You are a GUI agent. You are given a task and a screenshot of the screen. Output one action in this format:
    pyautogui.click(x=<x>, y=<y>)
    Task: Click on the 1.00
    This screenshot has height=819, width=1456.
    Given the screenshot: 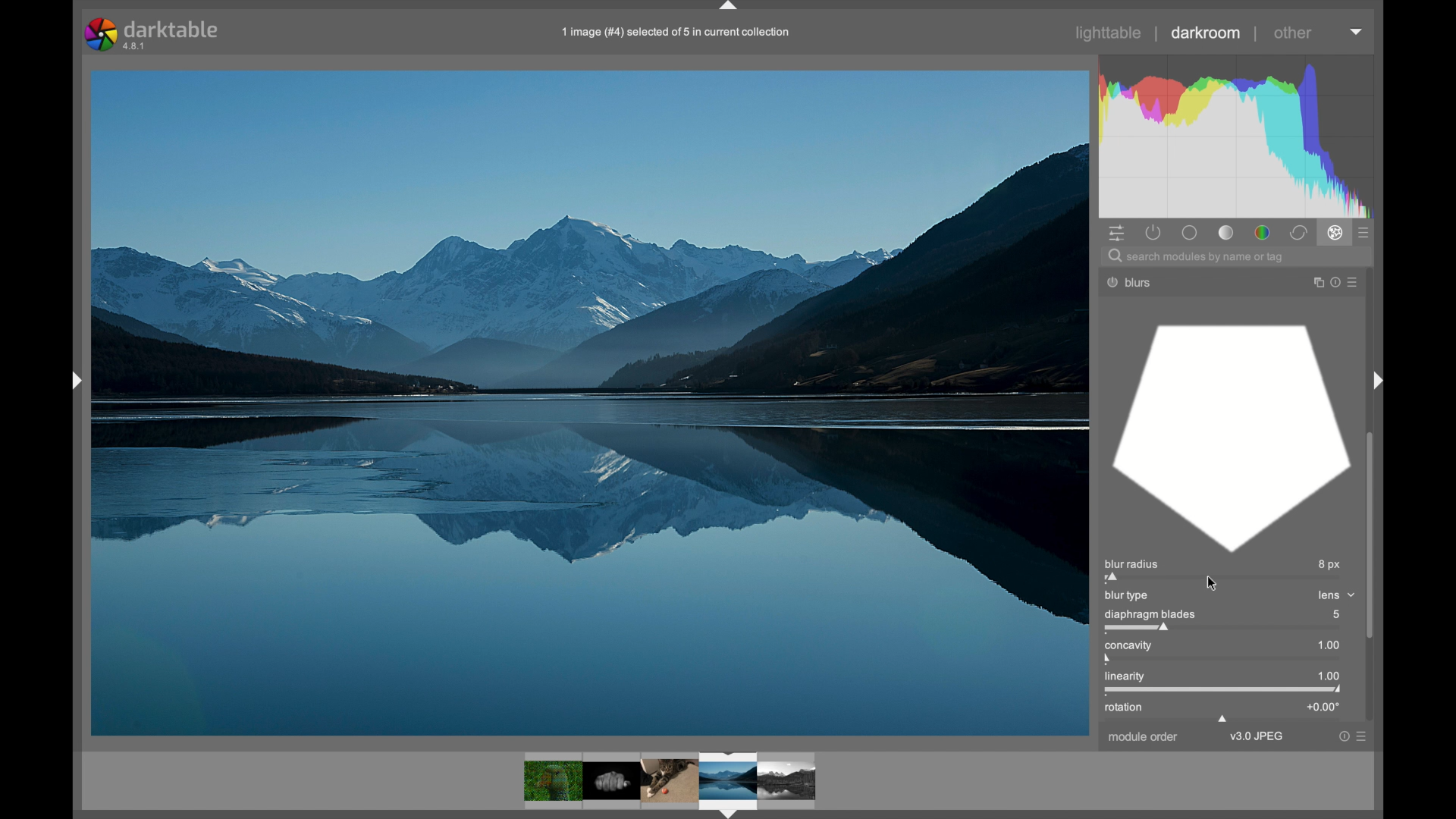 What is the action you would take?
    pyautogui.click(x=1329, y=674)
    